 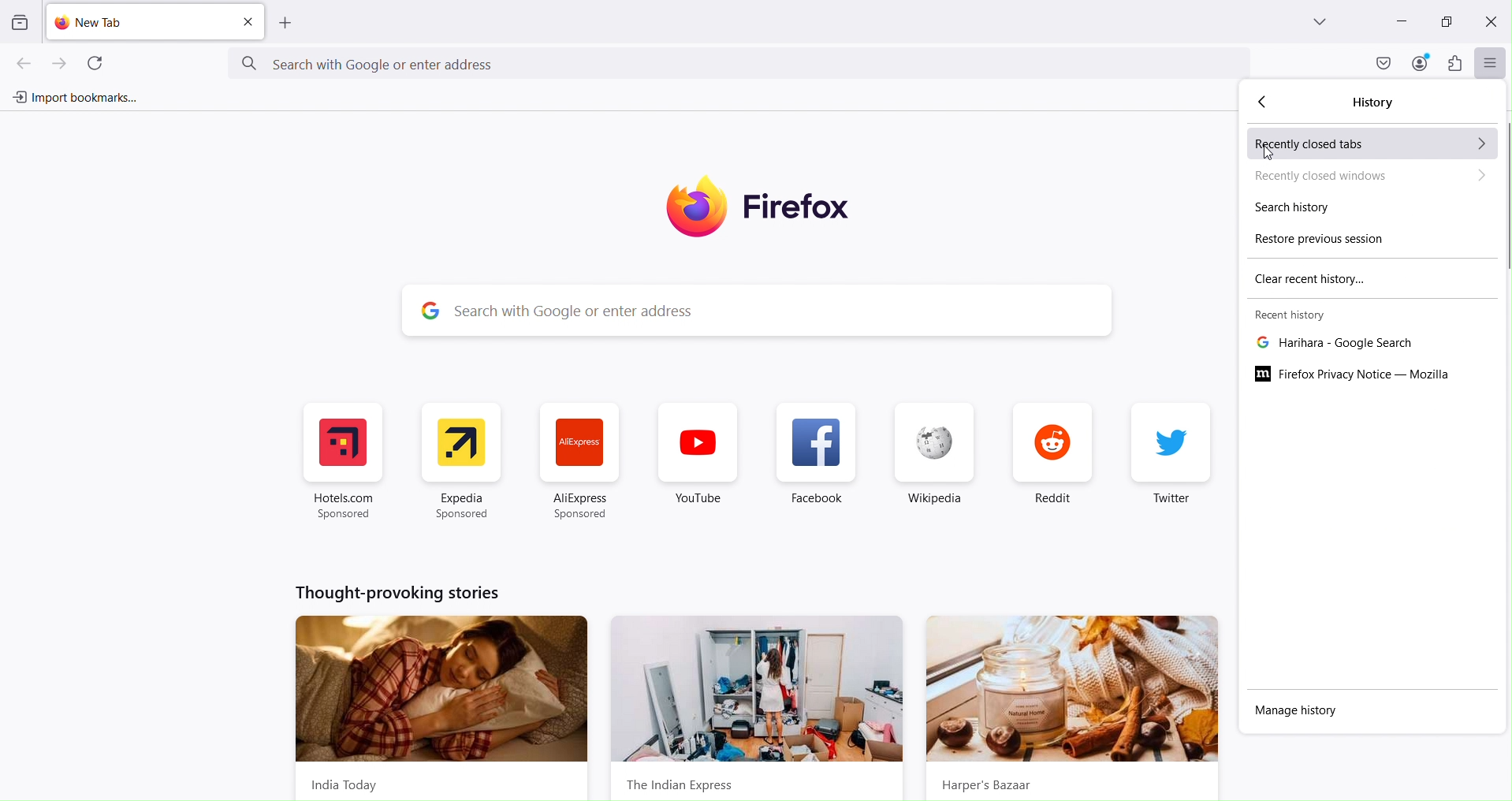 What do you see at coordinates (140, 22) in the screenshot?
I see `Add new tab` at bounding box center [140, 22].